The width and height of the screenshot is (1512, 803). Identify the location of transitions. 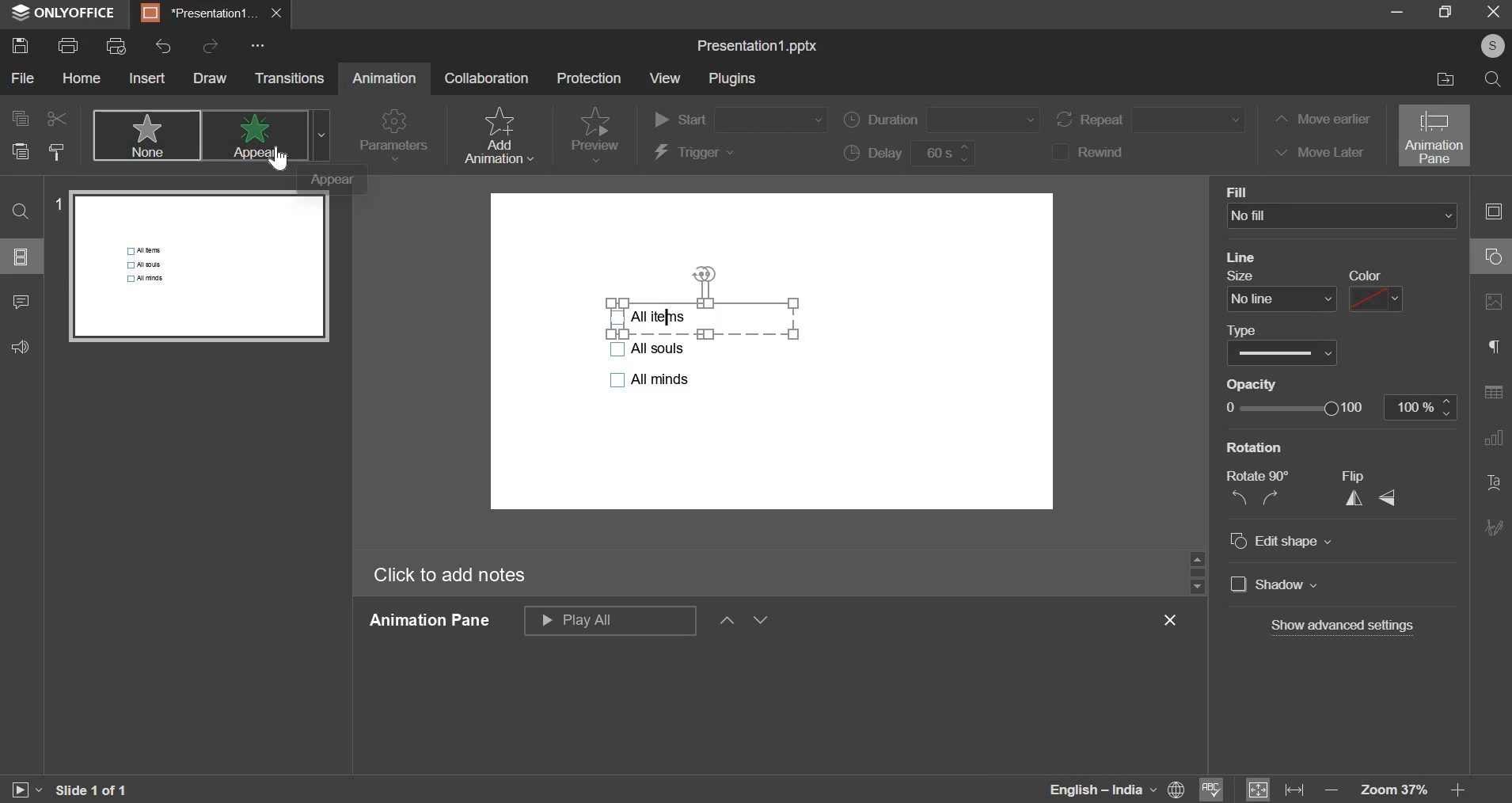
(289, 78).